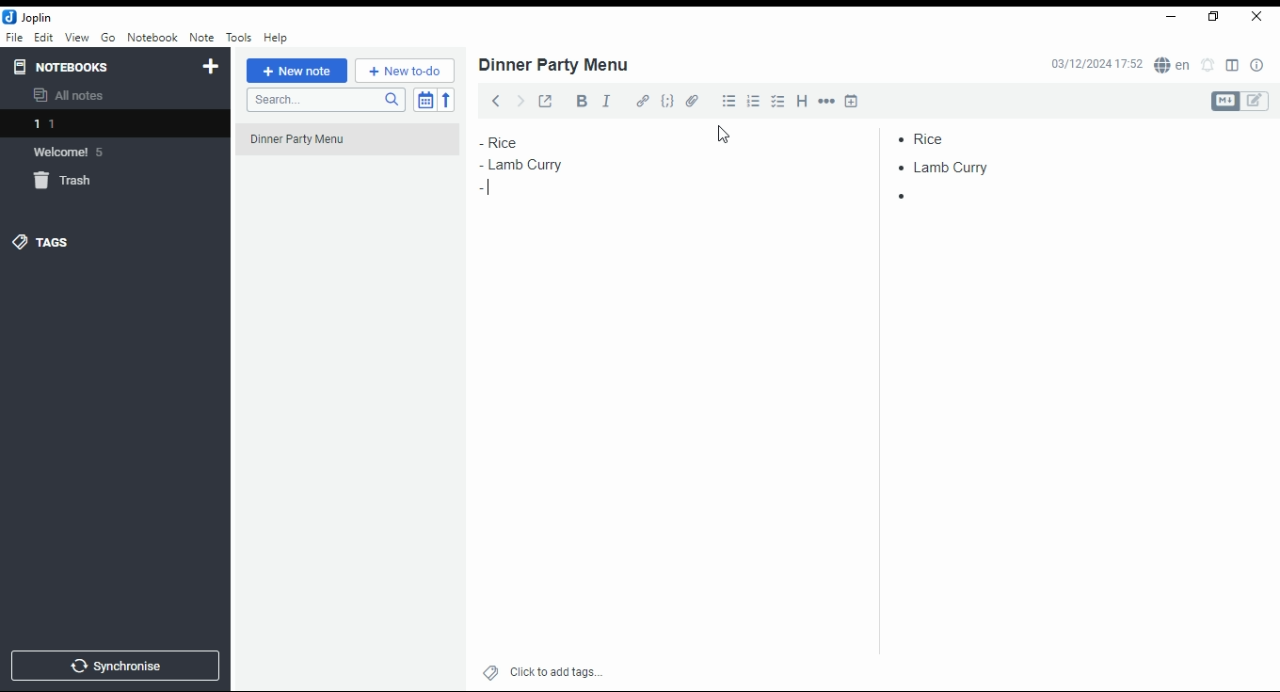  Describe the element at coordinates (1172, 17) in the screenshot. I see `minimize` at that location.